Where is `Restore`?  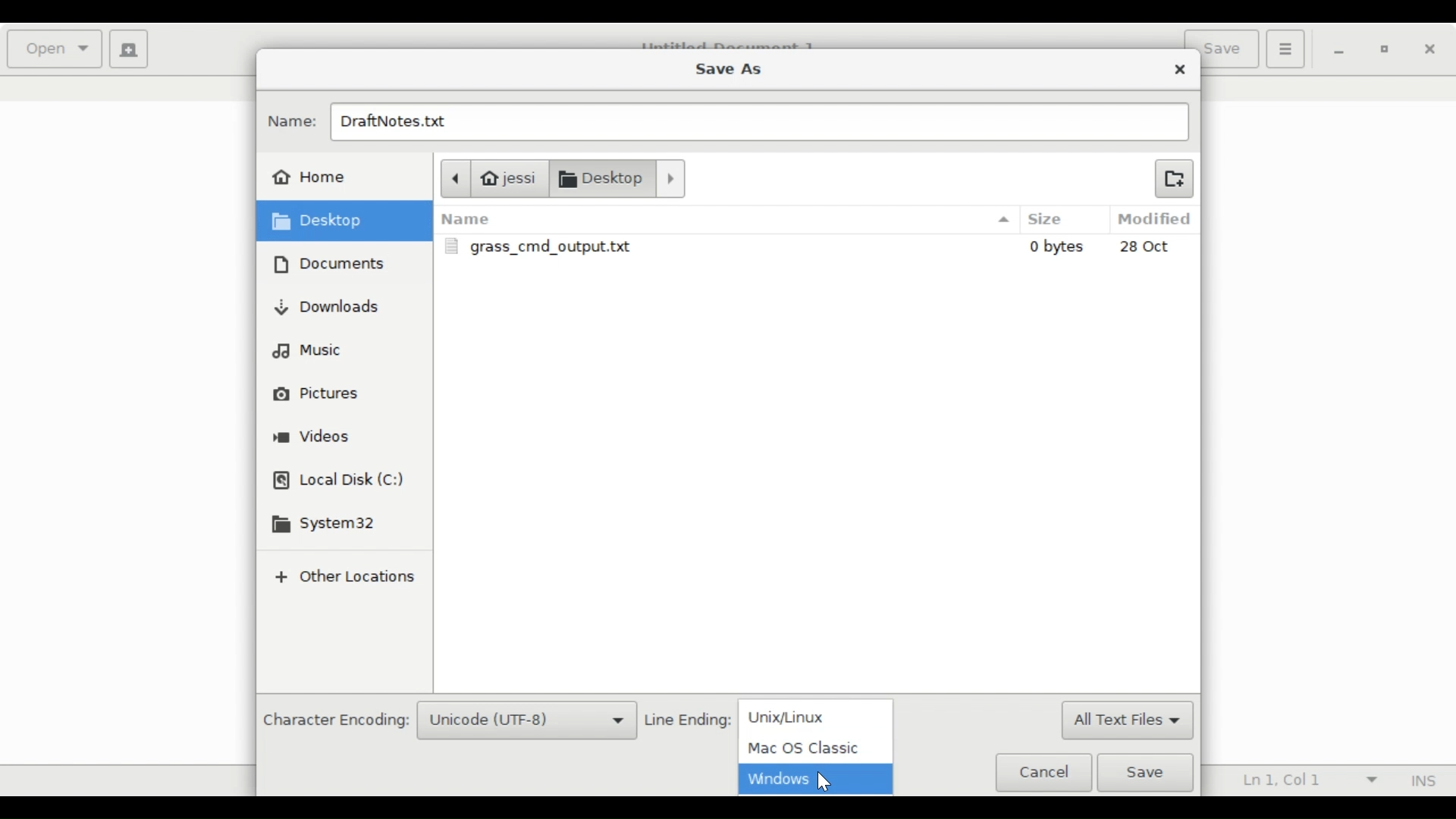
Restore is located at coordinates (1386, 52).